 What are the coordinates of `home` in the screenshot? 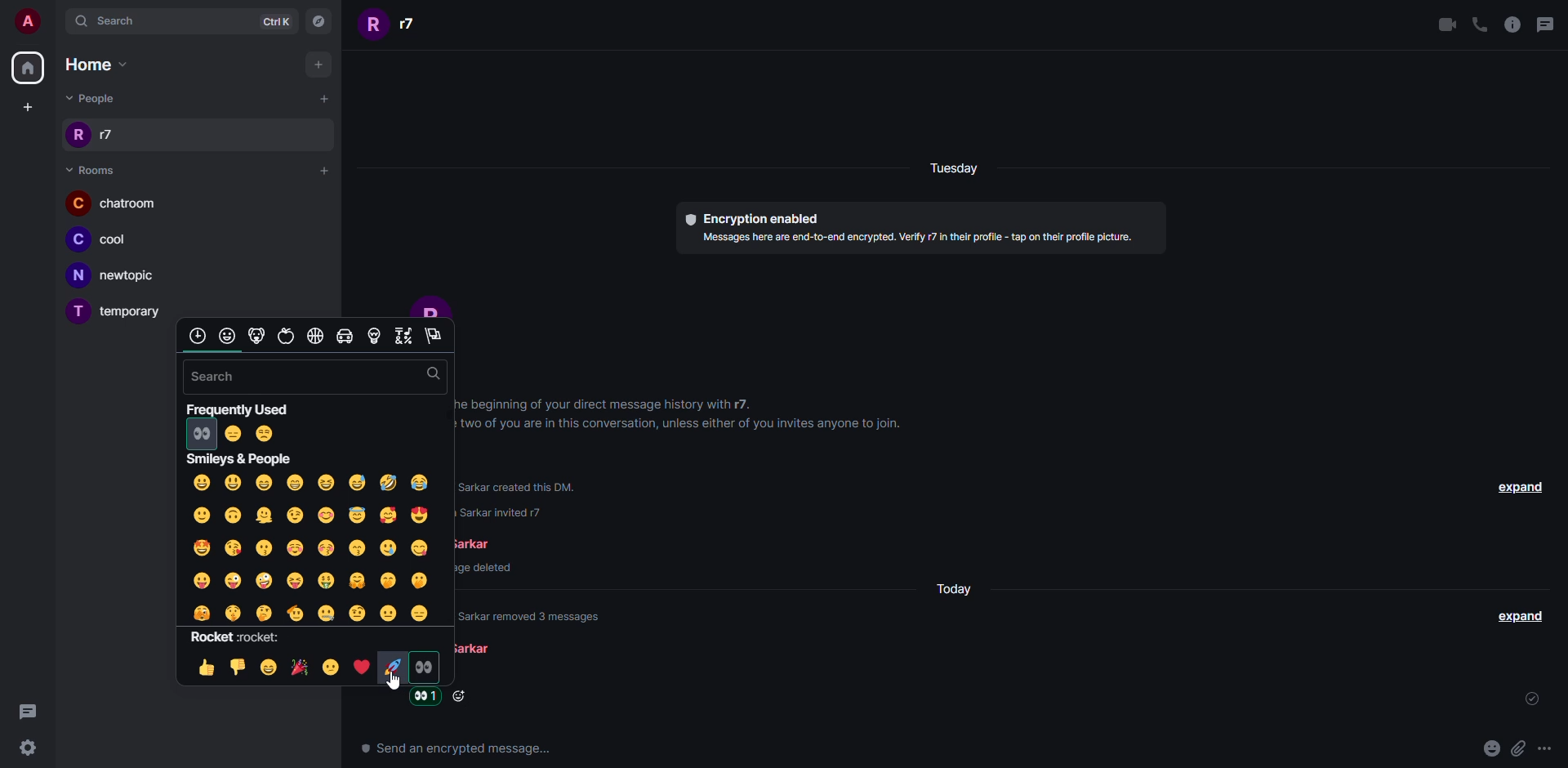 It's located at (105, 66).